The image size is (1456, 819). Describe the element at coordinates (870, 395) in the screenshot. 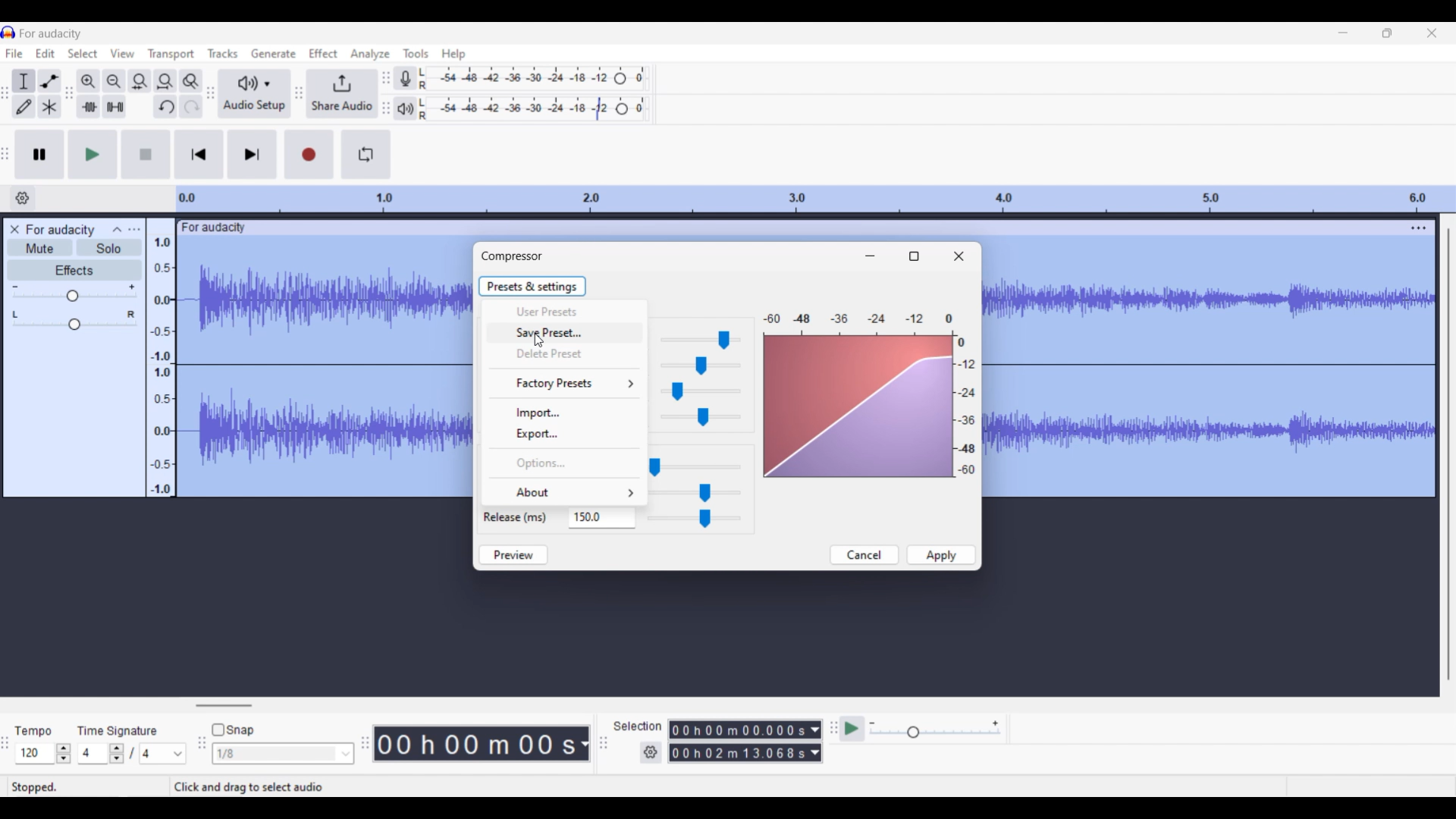

I see `Current output ` at that location.